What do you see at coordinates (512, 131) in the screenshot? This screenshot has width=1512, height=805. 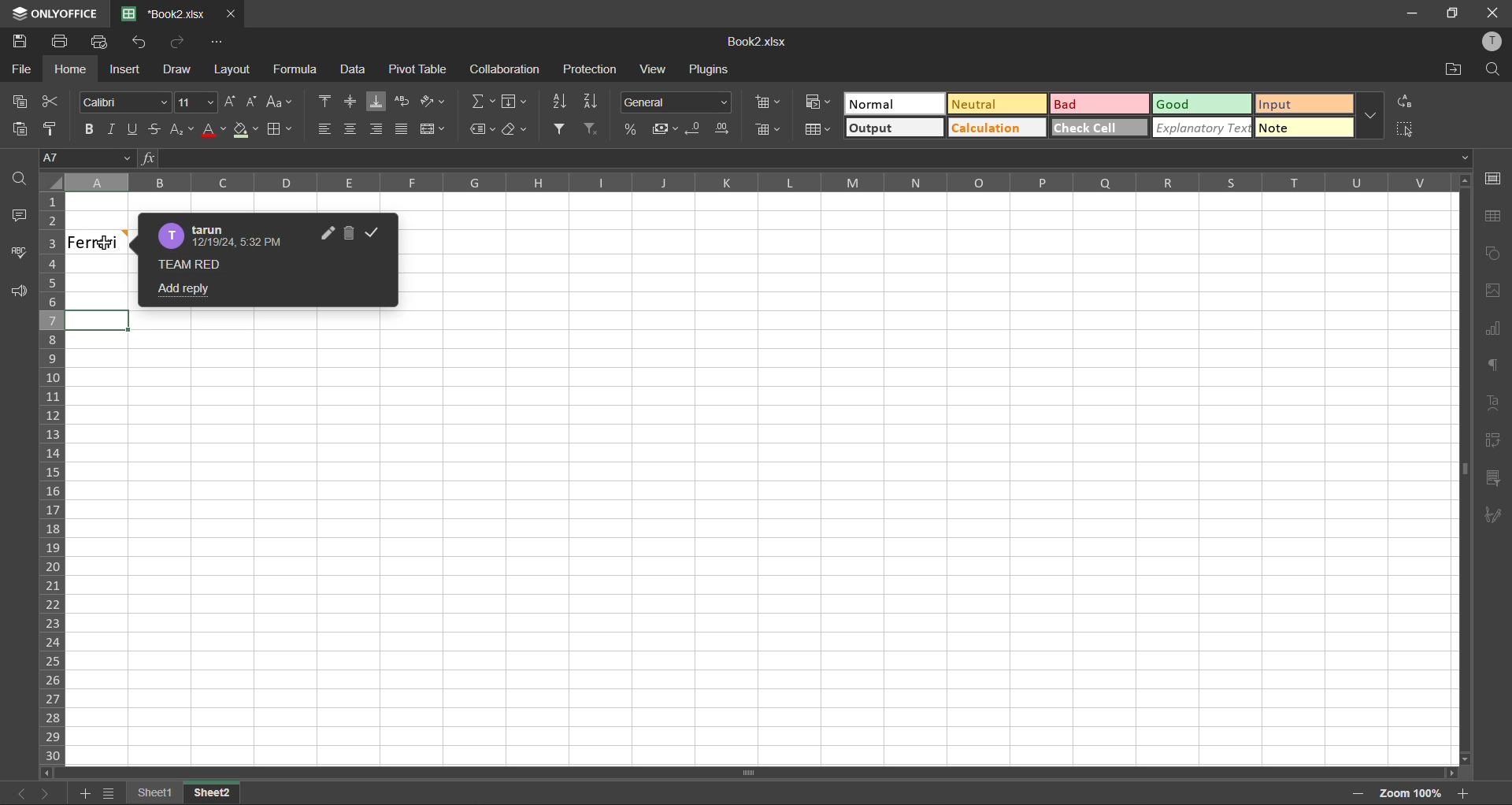 I see `clear` at bounding box center [512, 131].